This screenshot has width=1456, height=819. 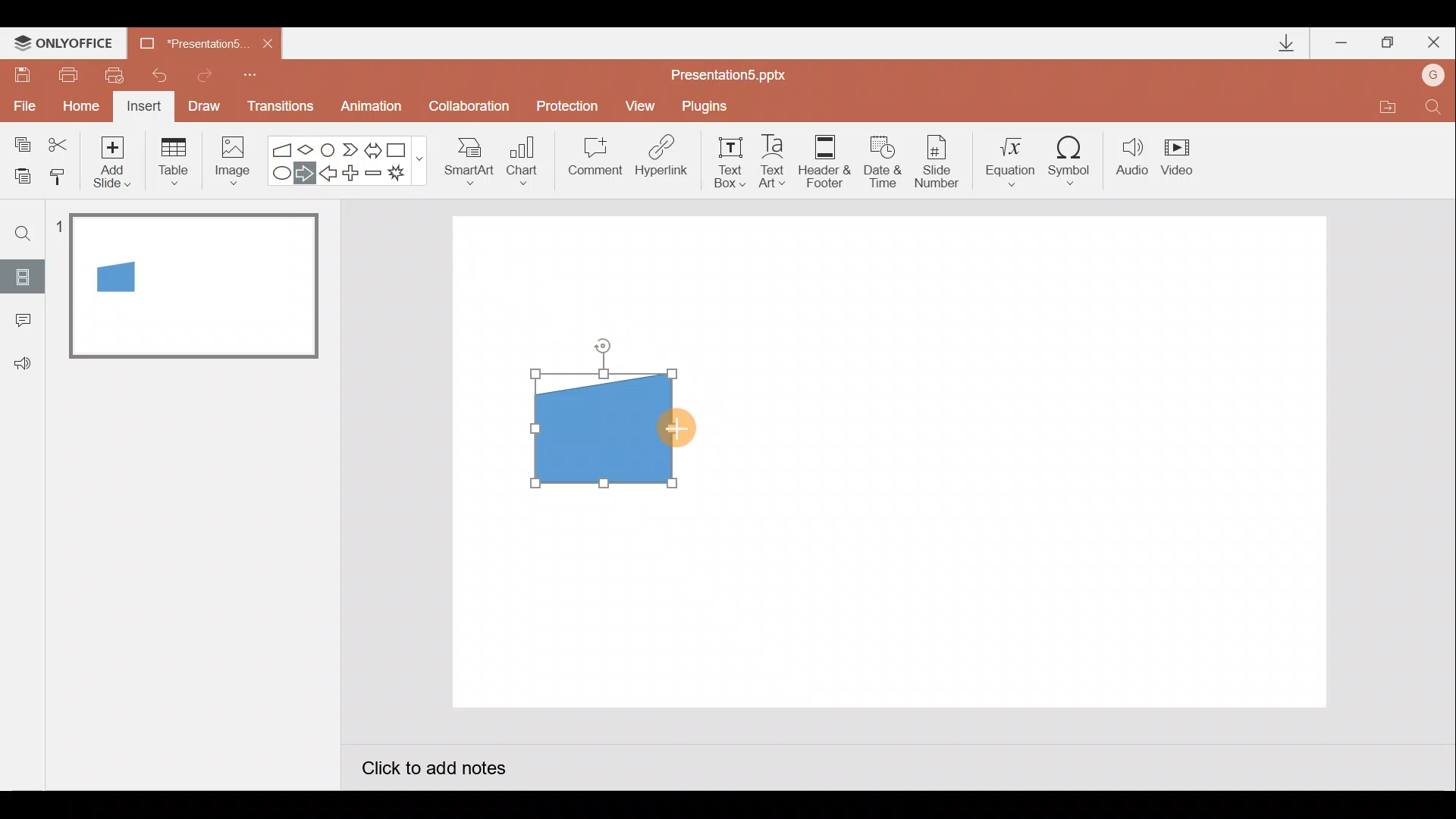 I want to click on Account name, so click(x=1434, y=77).